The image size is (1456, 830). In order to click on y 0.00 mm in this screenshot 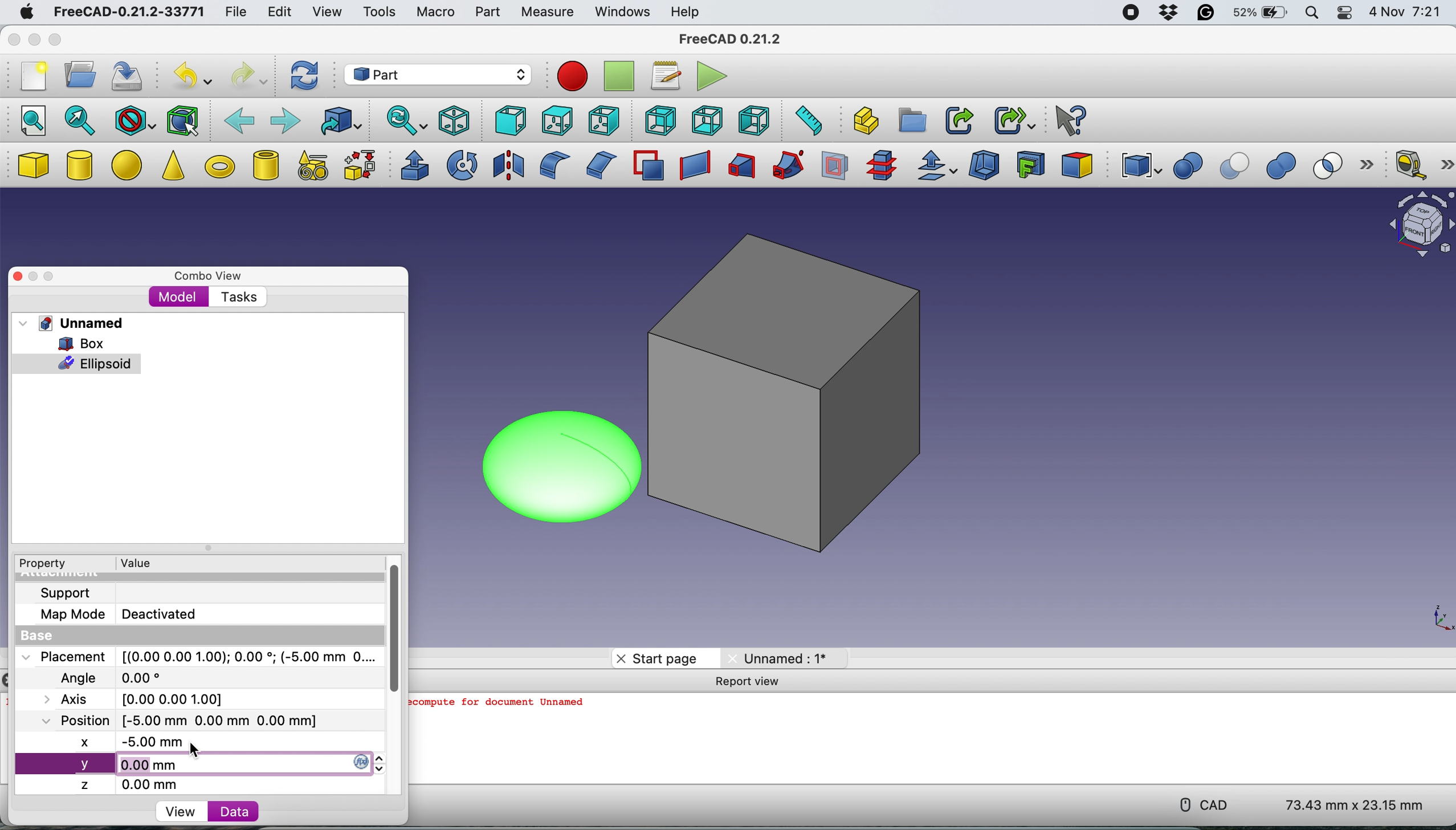, I will do `click(203, 764)`.